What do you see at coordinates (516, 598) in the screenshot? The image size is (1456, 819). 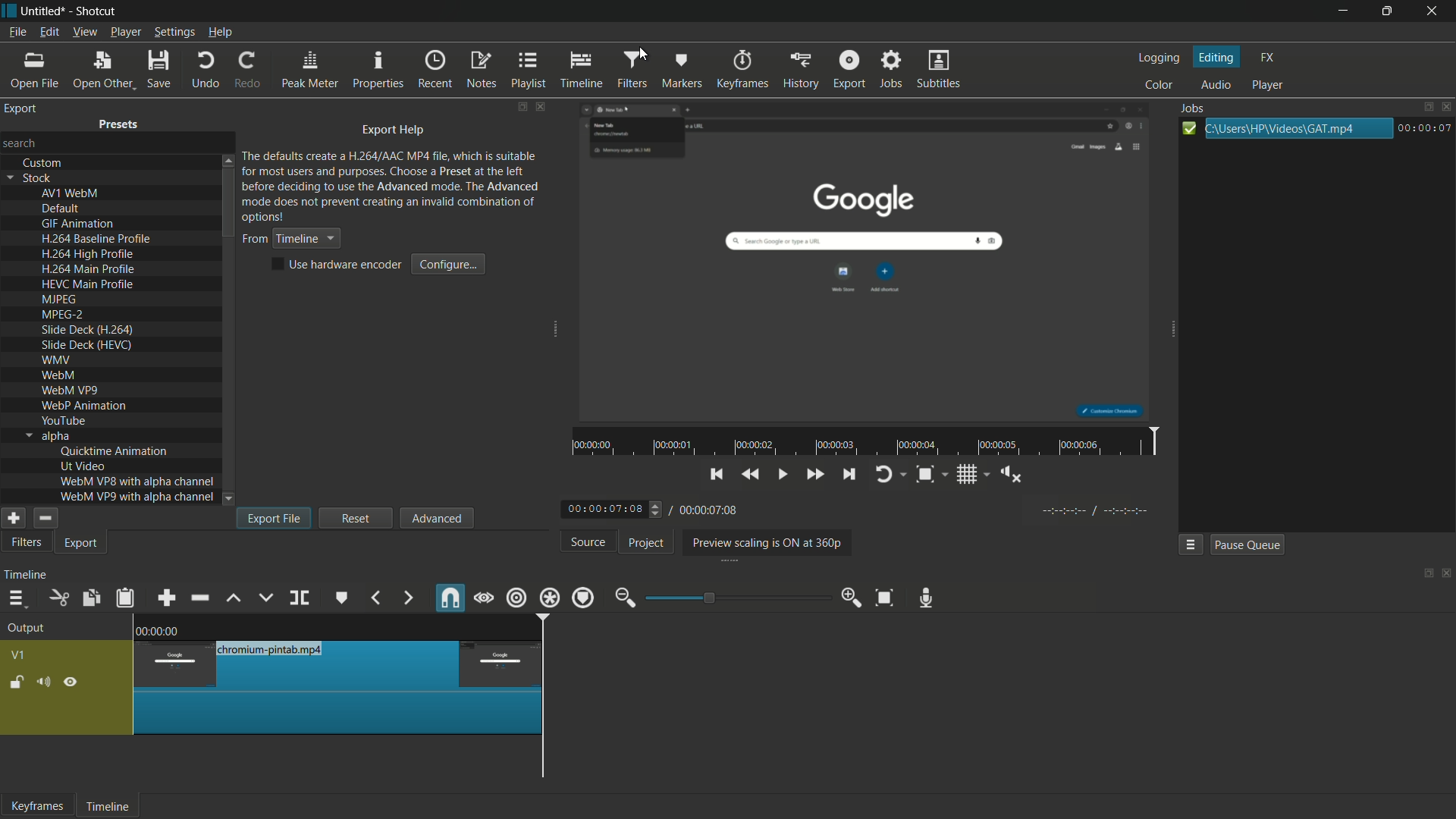 I see `ripple` at bounding box center [516, 598].